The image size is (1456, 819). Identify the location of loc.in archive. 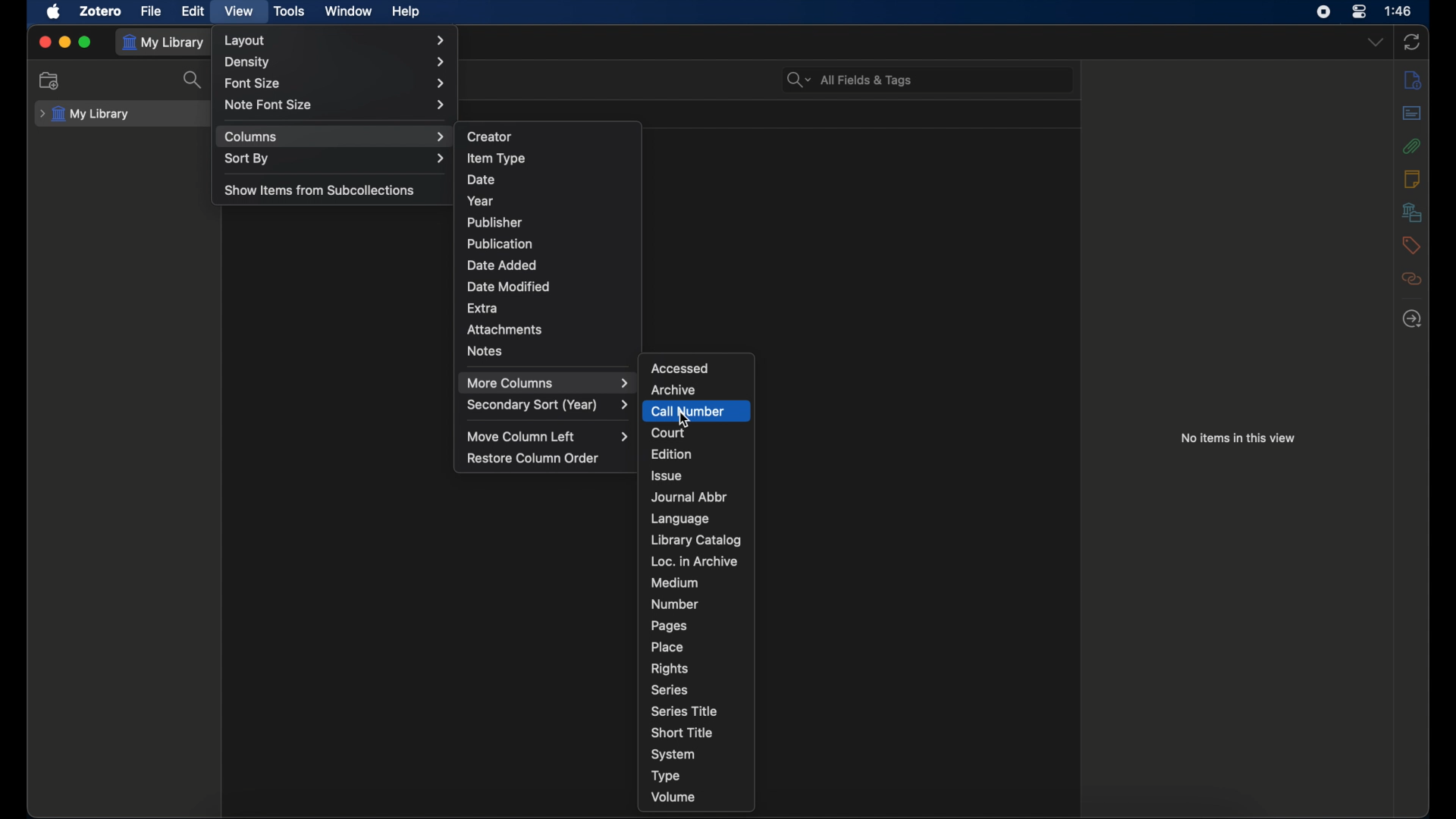
(693, 560).